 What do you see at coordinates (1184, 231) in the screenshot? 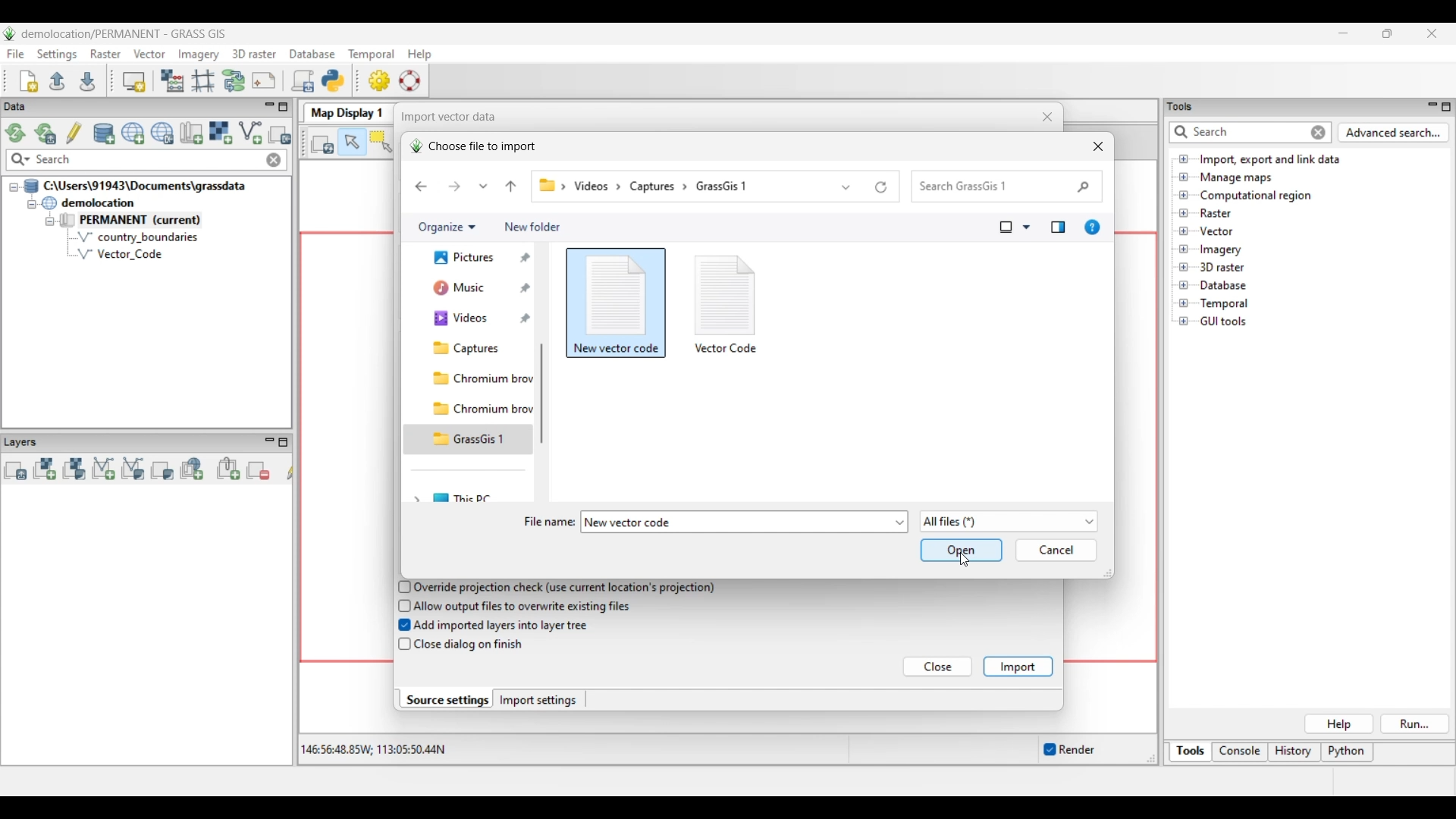
I see `Click to open files under Vector` at bounding box center [1184, 231].